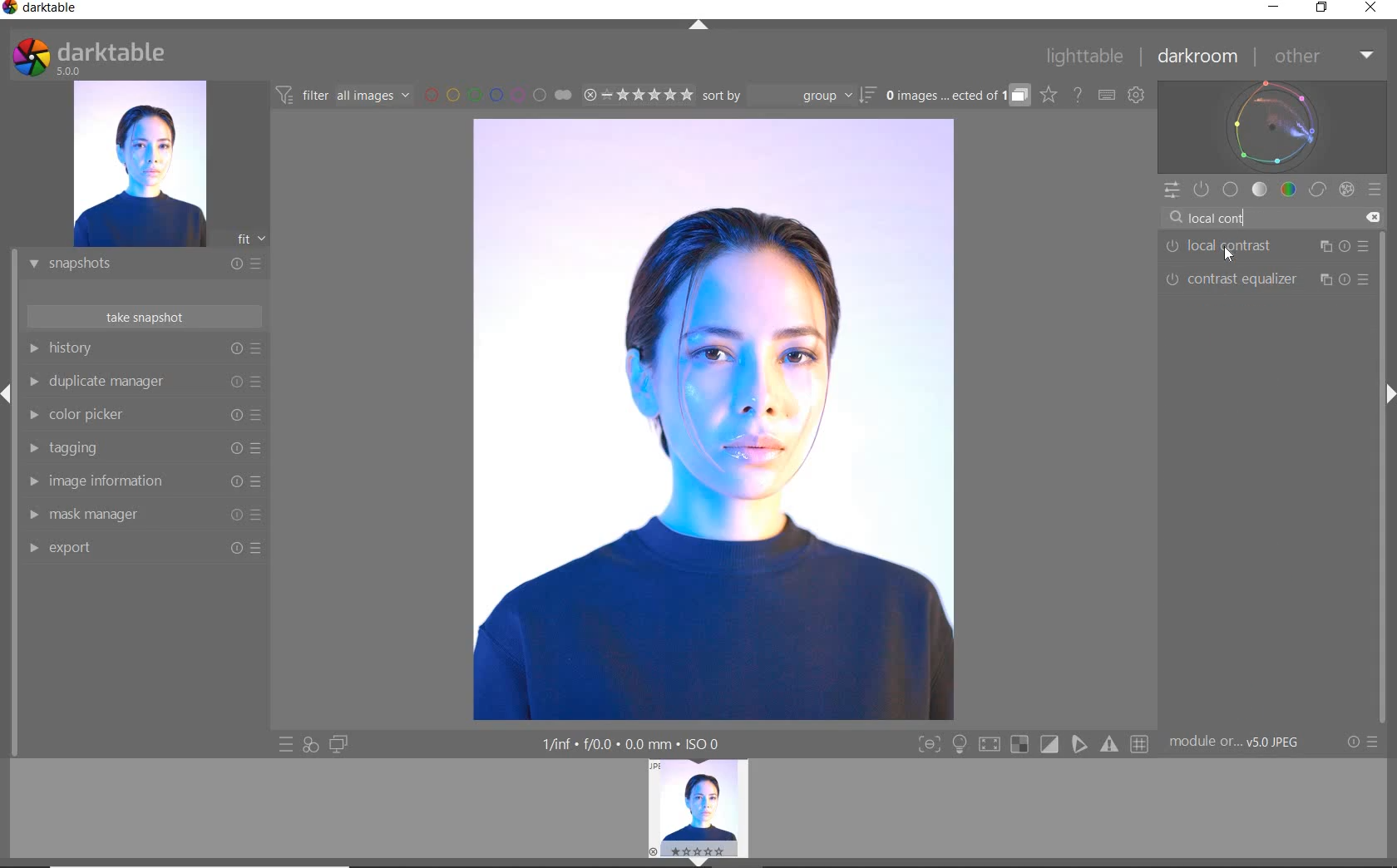 The height and width of the screenshot is (868, 1397). Describe the element at coordinates (1319, 191) in the screenshot. I see `CORRECT` at that location.